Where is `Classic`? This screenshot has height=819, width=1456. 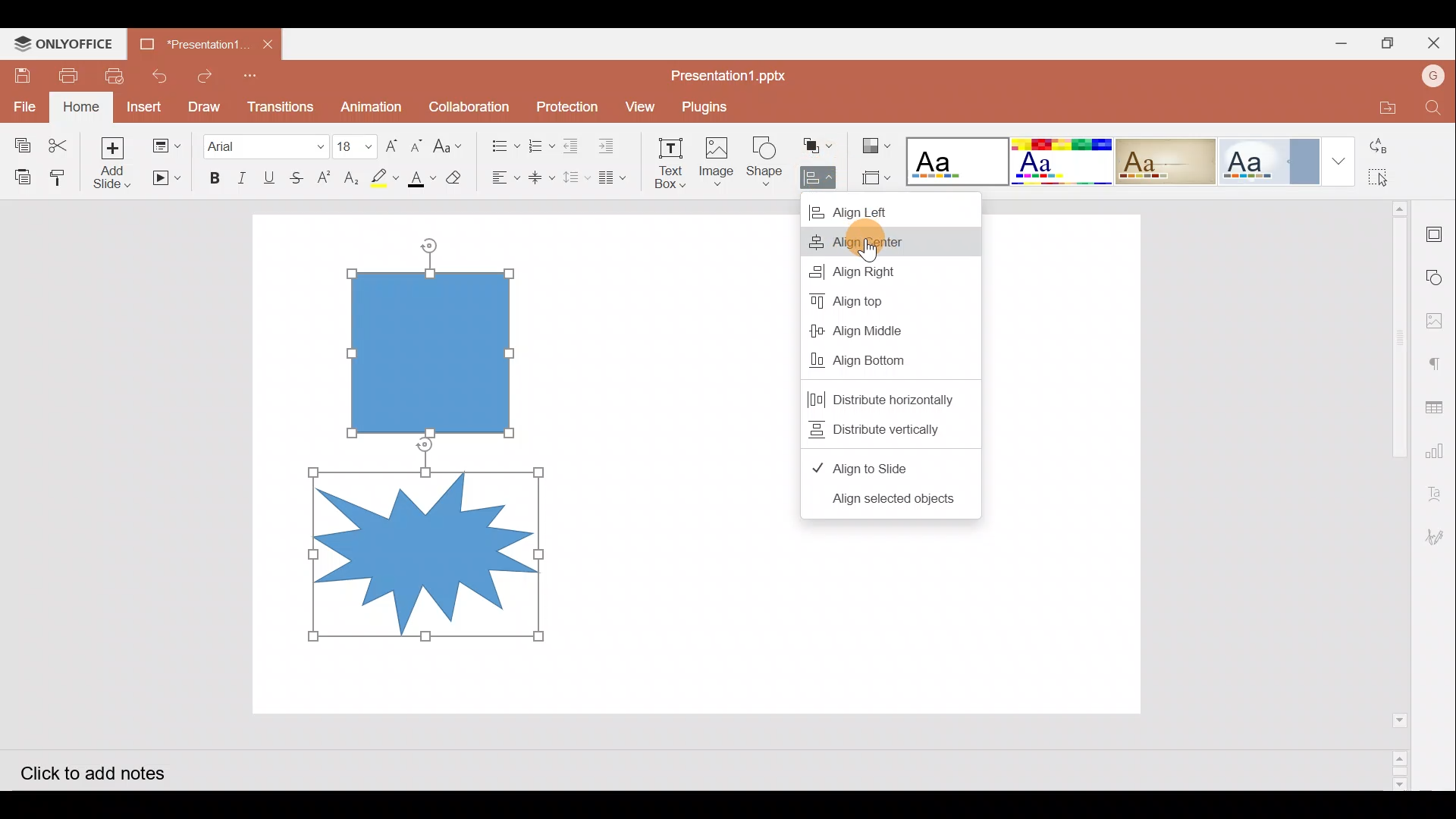 Classic is located at coordinates (1166, 158).